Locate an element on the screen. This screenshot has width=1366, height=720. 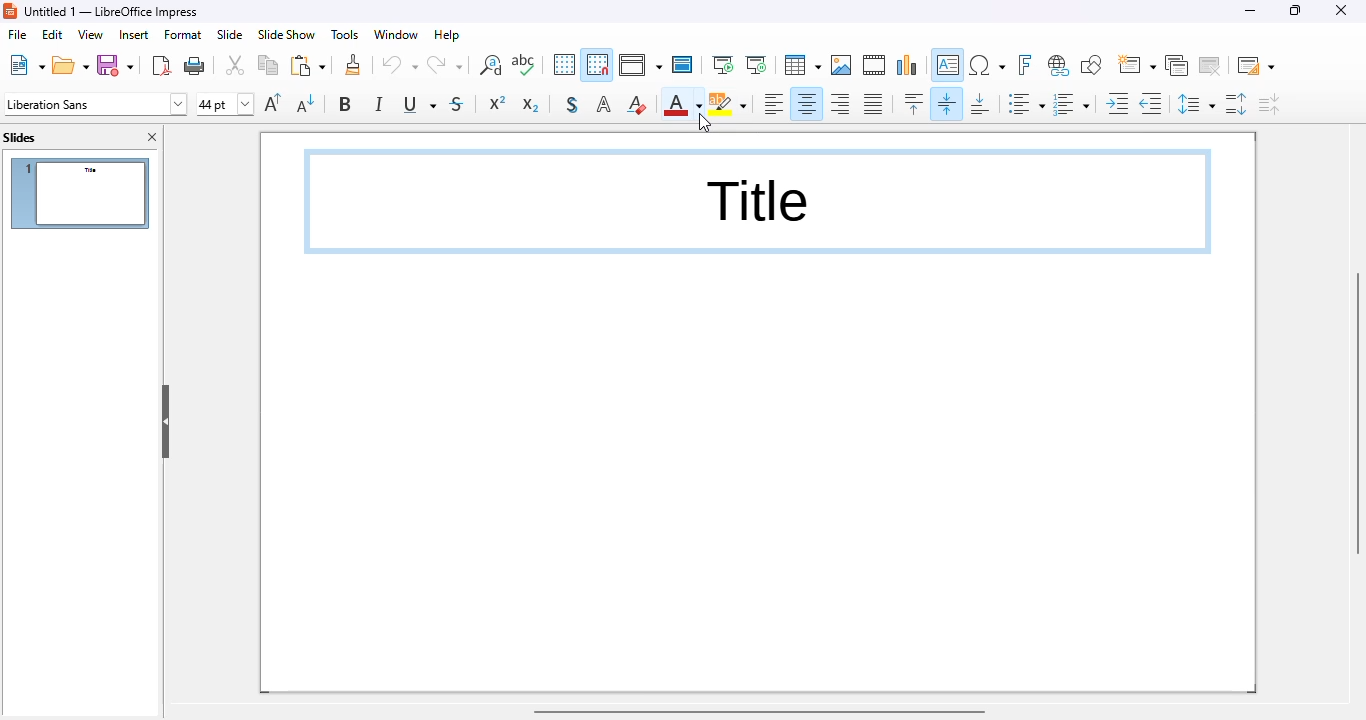
table is located at coordinates (802, 65).